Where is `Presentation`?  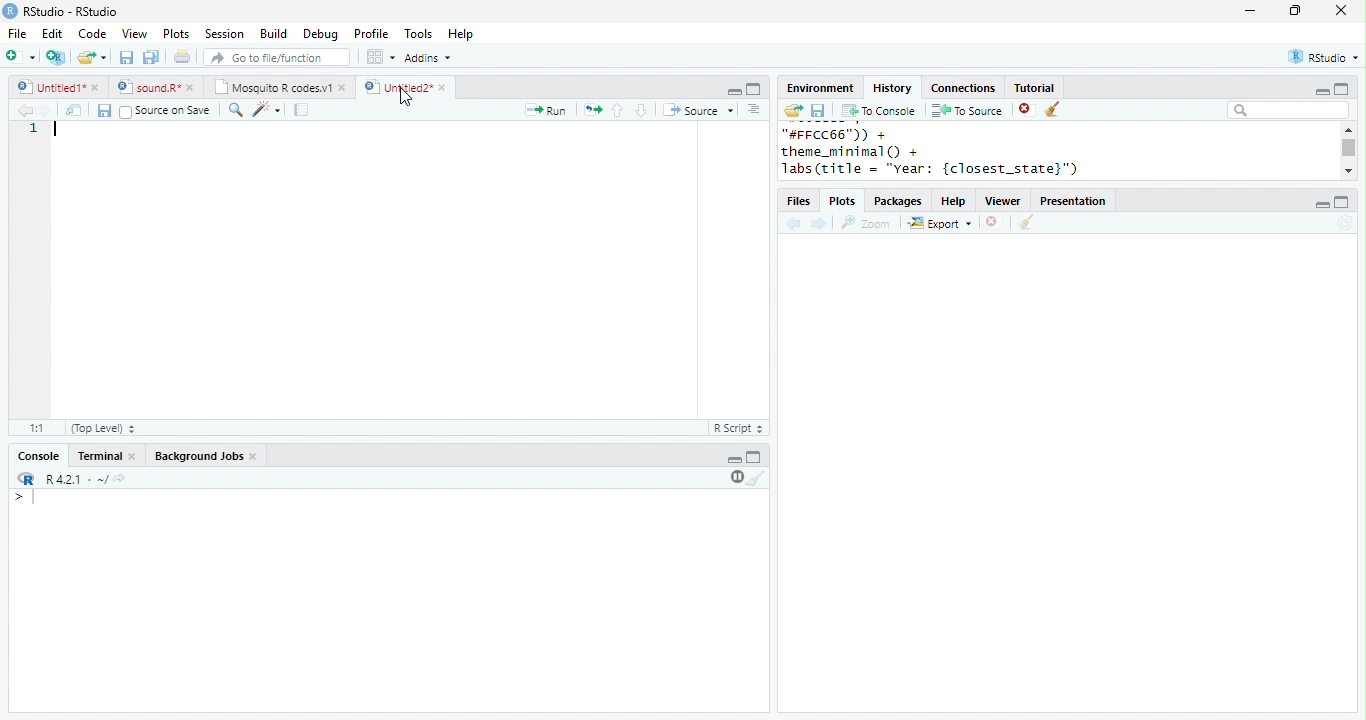
Presentation is located at coordinates (1073, 201).